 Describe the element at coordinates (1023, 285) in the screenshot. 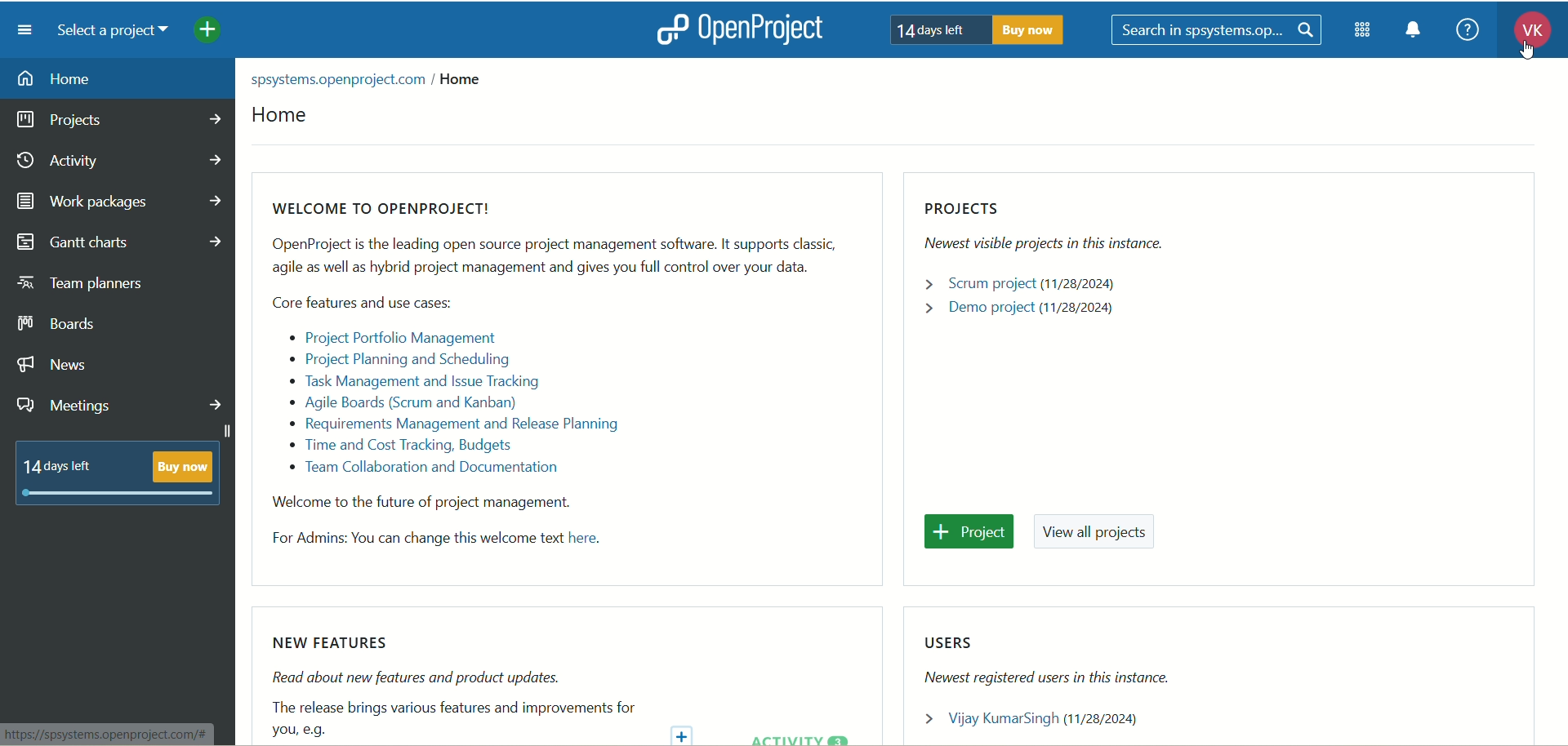

I see `scrum project` at that location.